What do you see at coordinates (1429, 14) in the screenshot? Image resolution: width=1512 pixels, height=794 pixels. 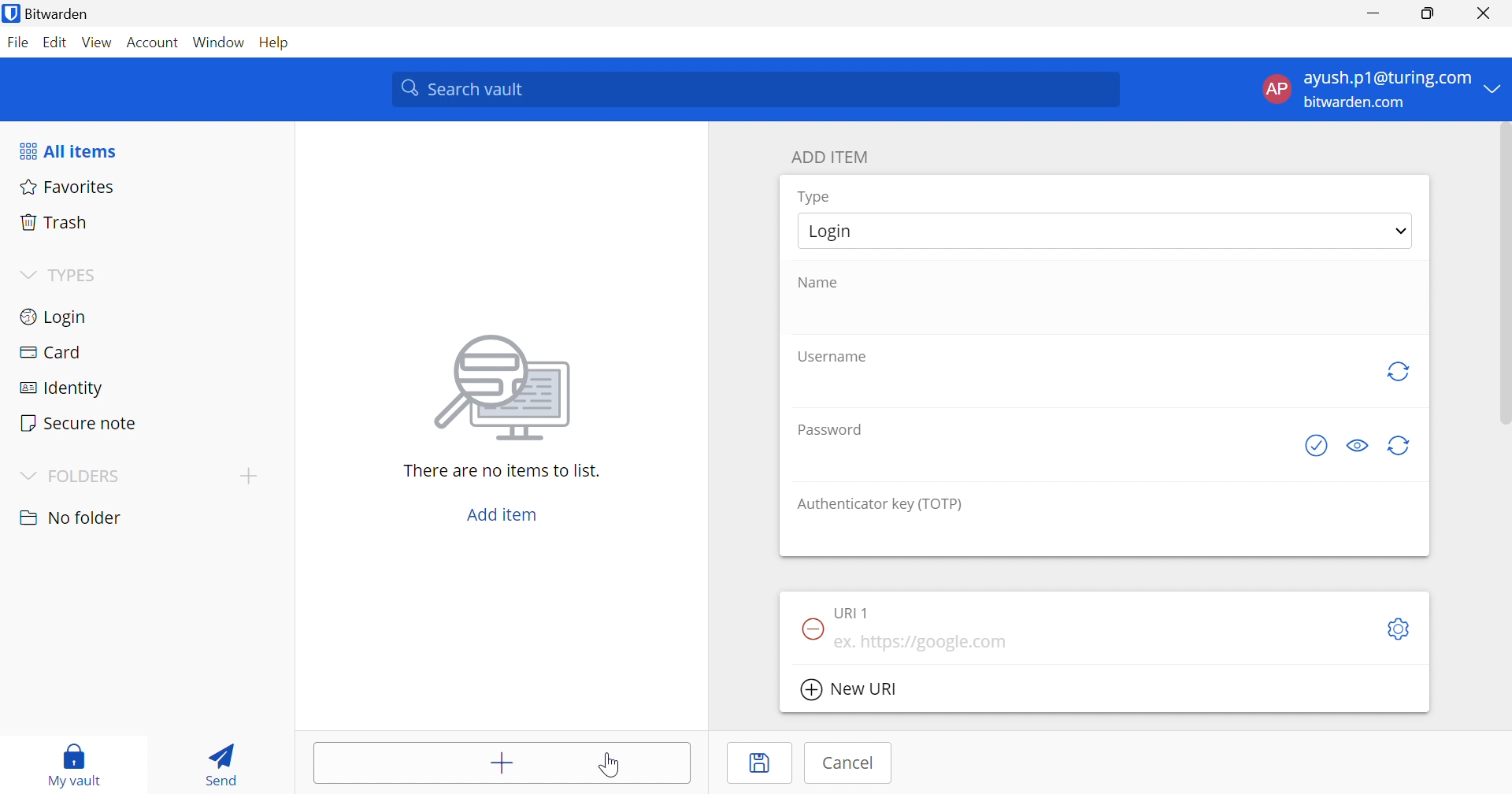 I see `Restore Down` at bounding box center [1429, 14].